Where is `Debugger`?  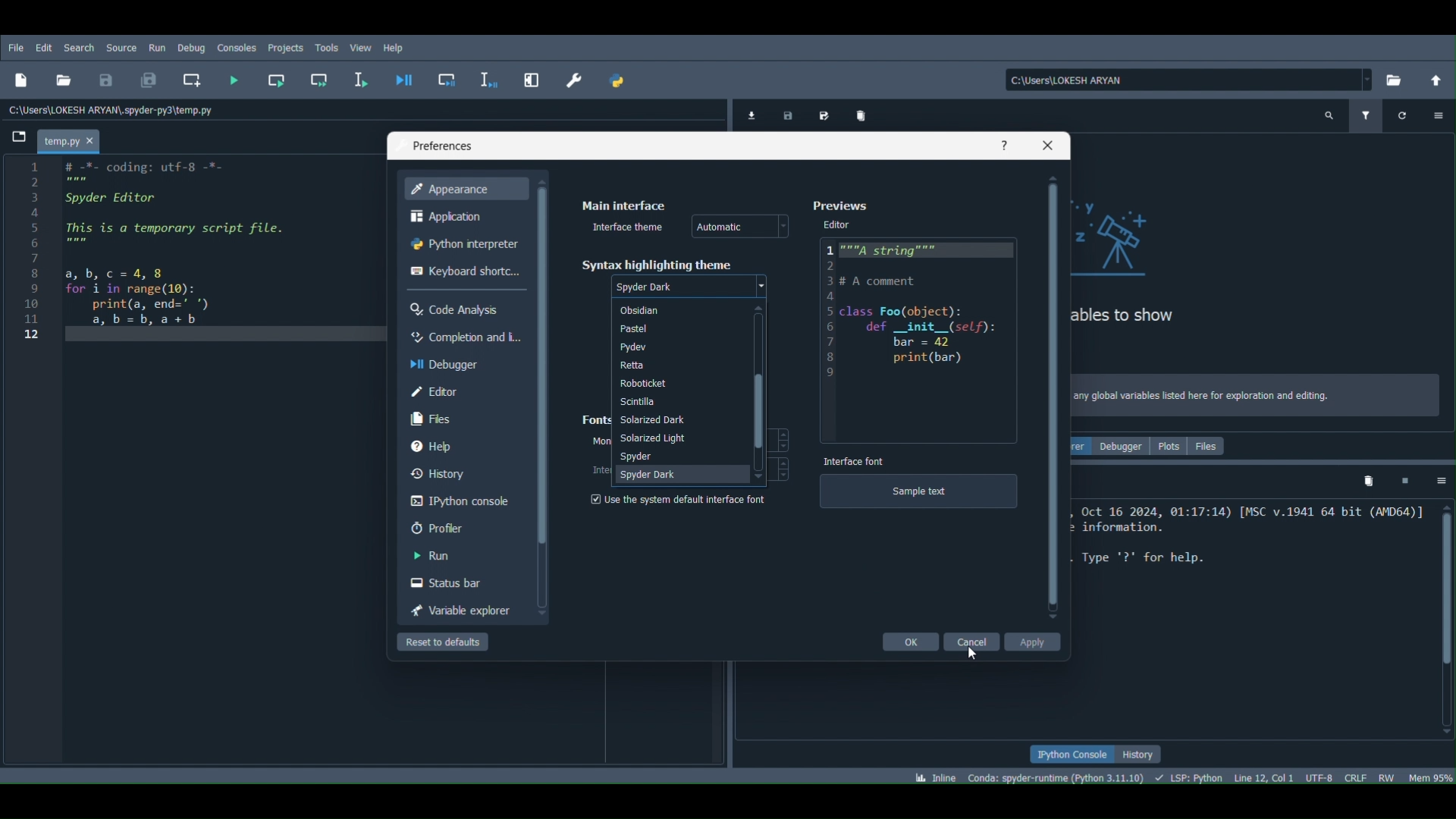 Debugger is located at coordinates (461, 362).